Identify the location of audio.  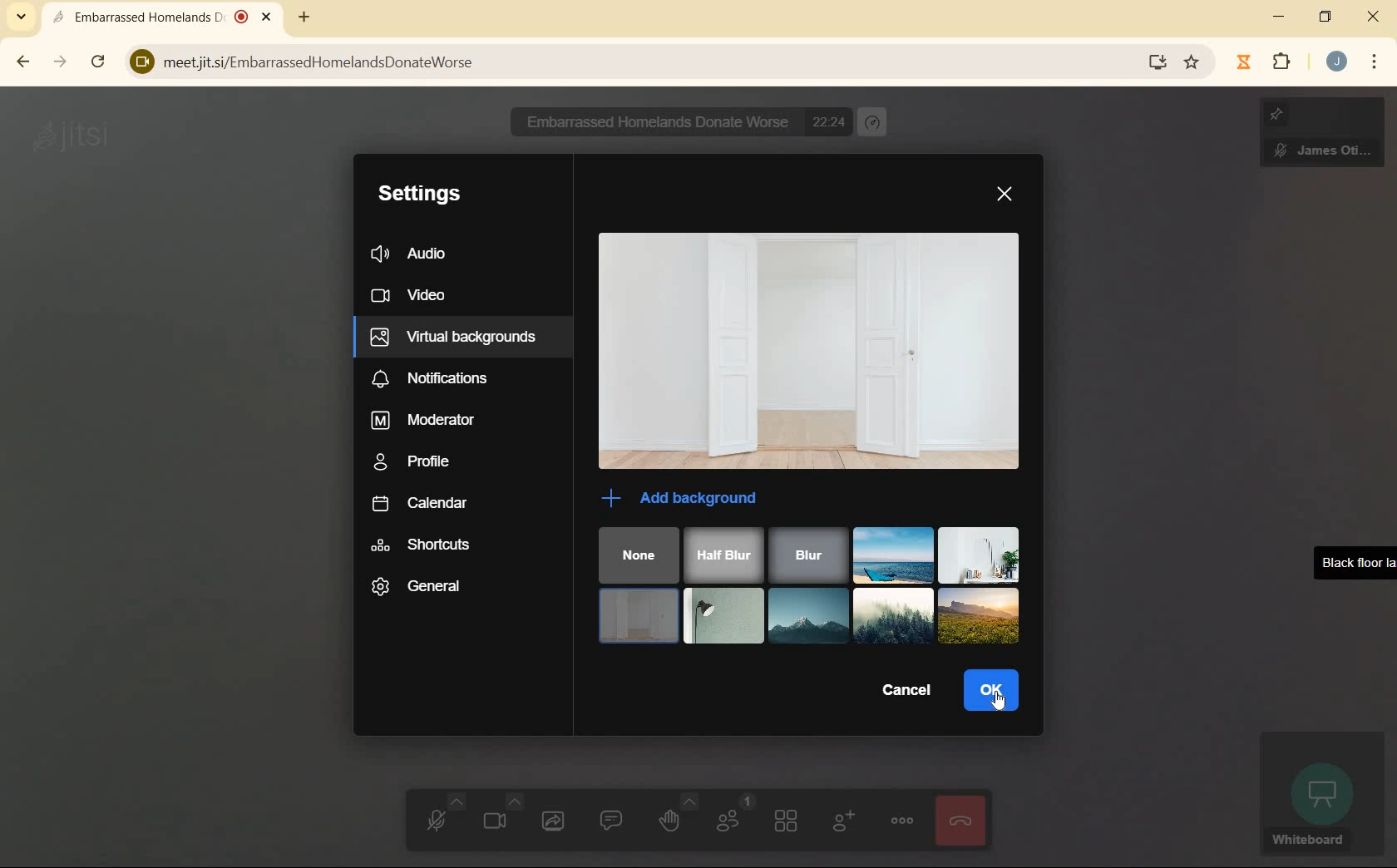
(412, 254).